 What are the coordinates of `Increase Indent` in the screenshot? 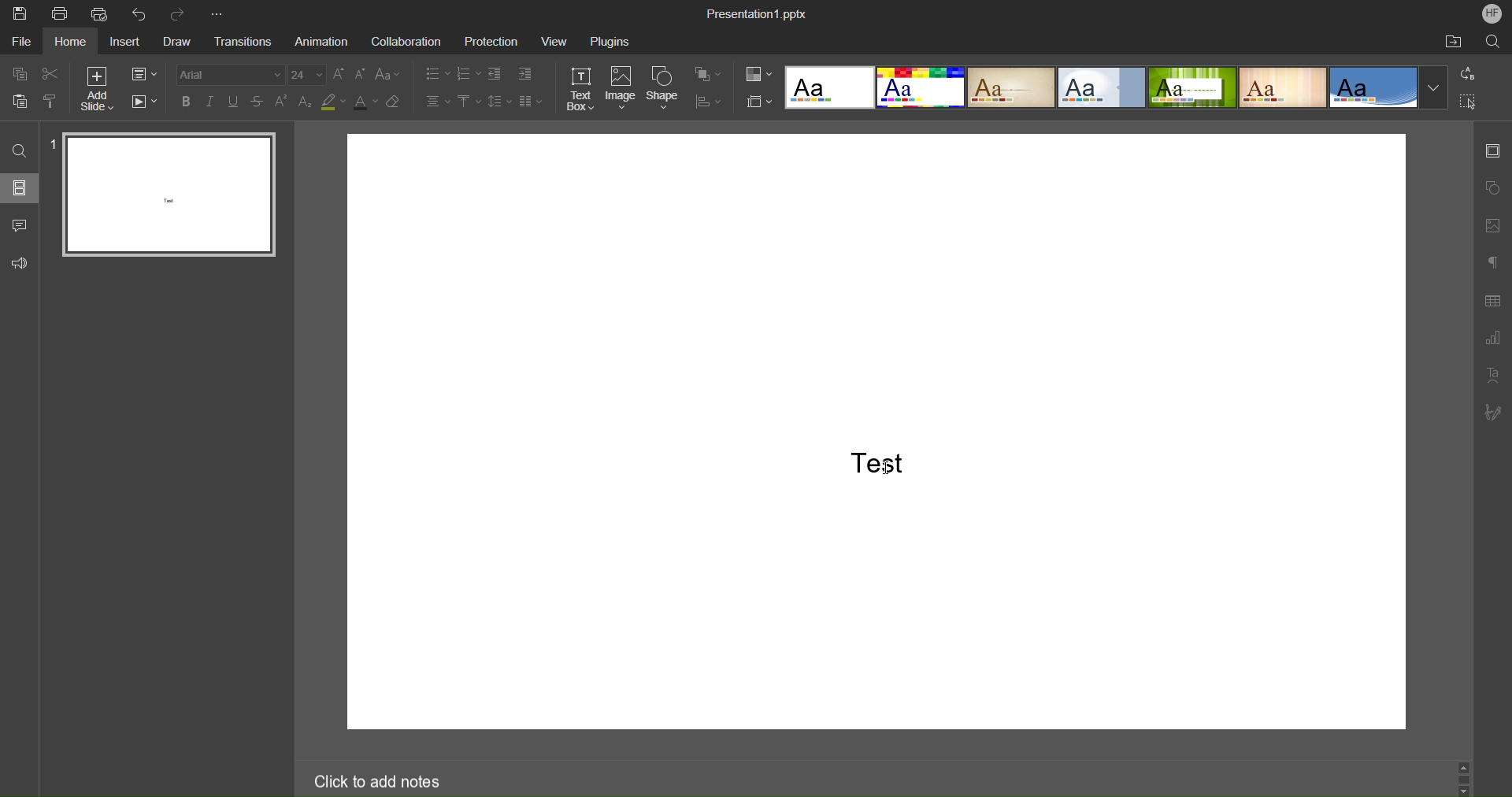 It's located at (524, 74).